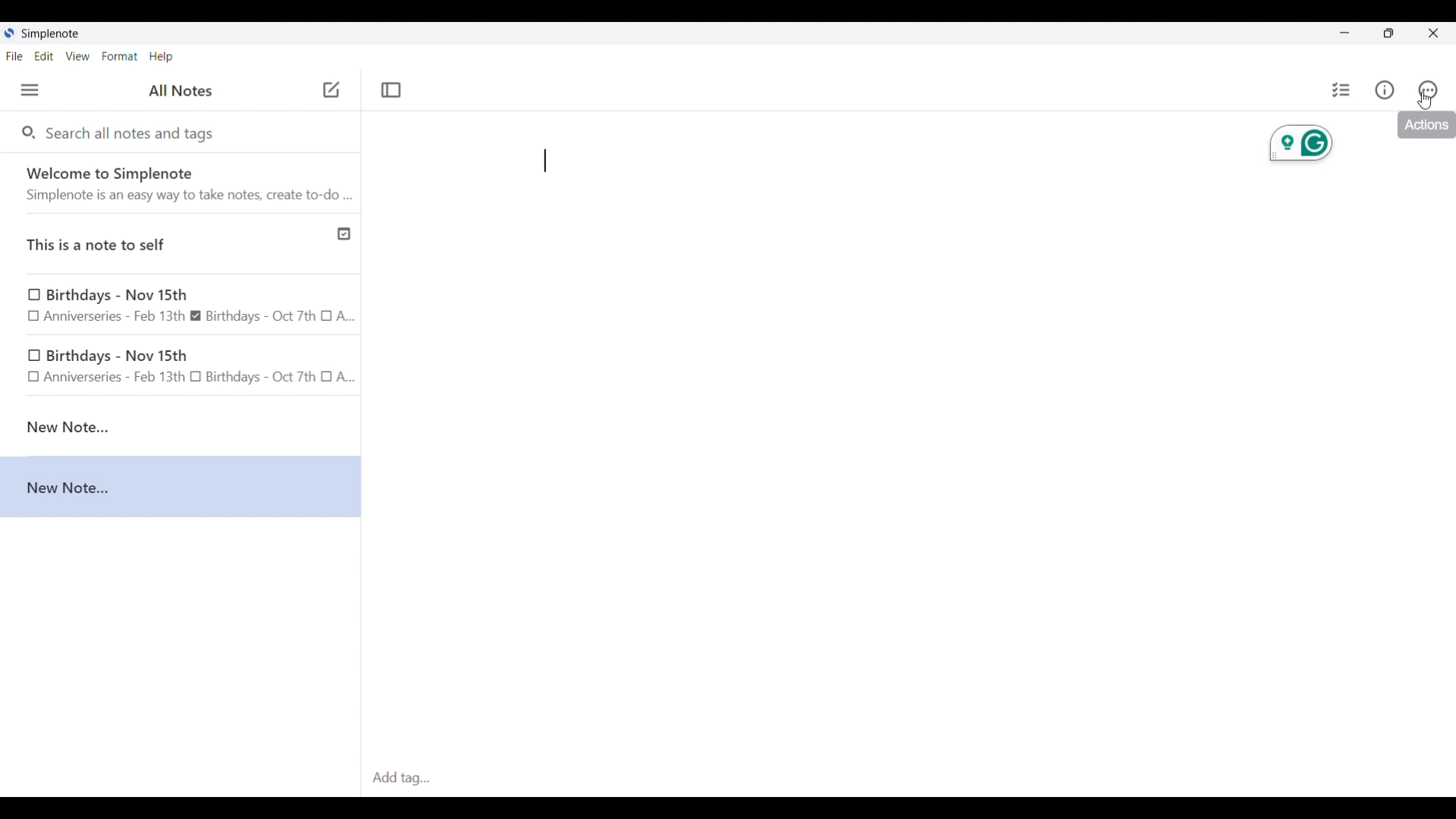 Image resolution: width=1456 pixels, height=819 pixels. I want to click on Click to type in tags, so click(908, 779).